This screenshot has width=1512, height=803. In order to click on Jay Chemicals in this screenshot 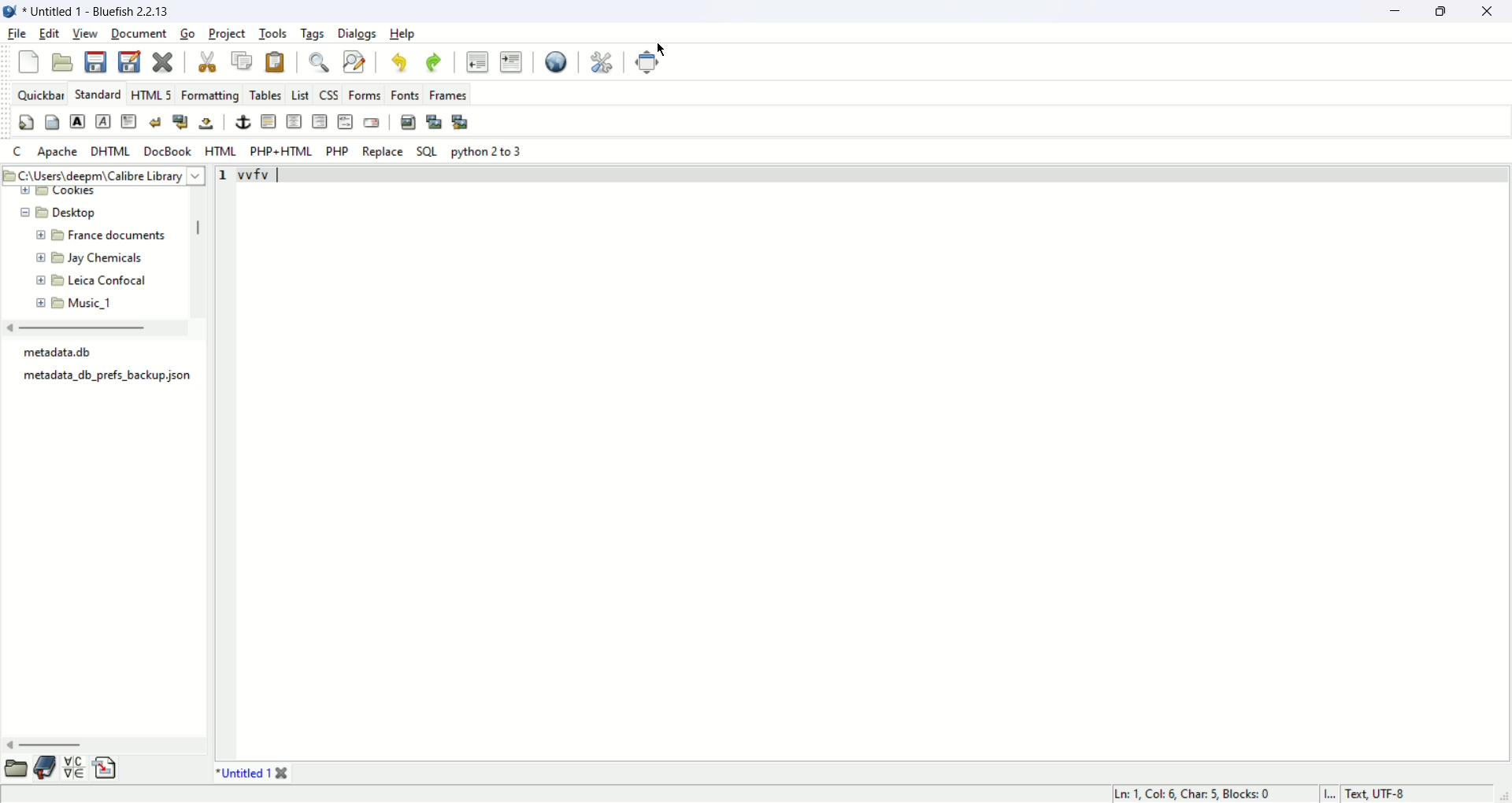, I will do `click(109, 258)`.